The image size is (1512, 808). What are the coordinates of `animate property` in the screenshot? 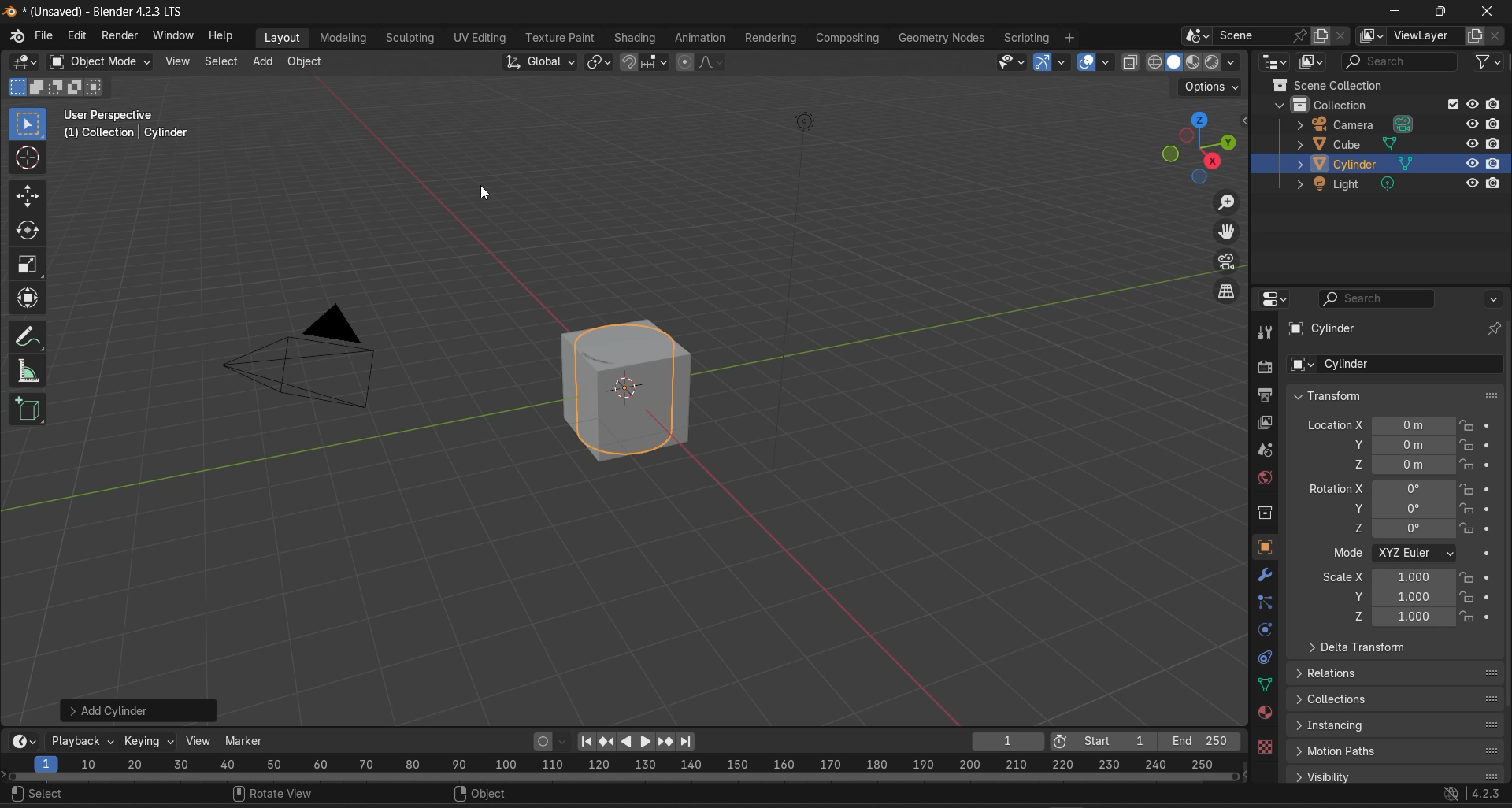 It's located at (1490, 617).